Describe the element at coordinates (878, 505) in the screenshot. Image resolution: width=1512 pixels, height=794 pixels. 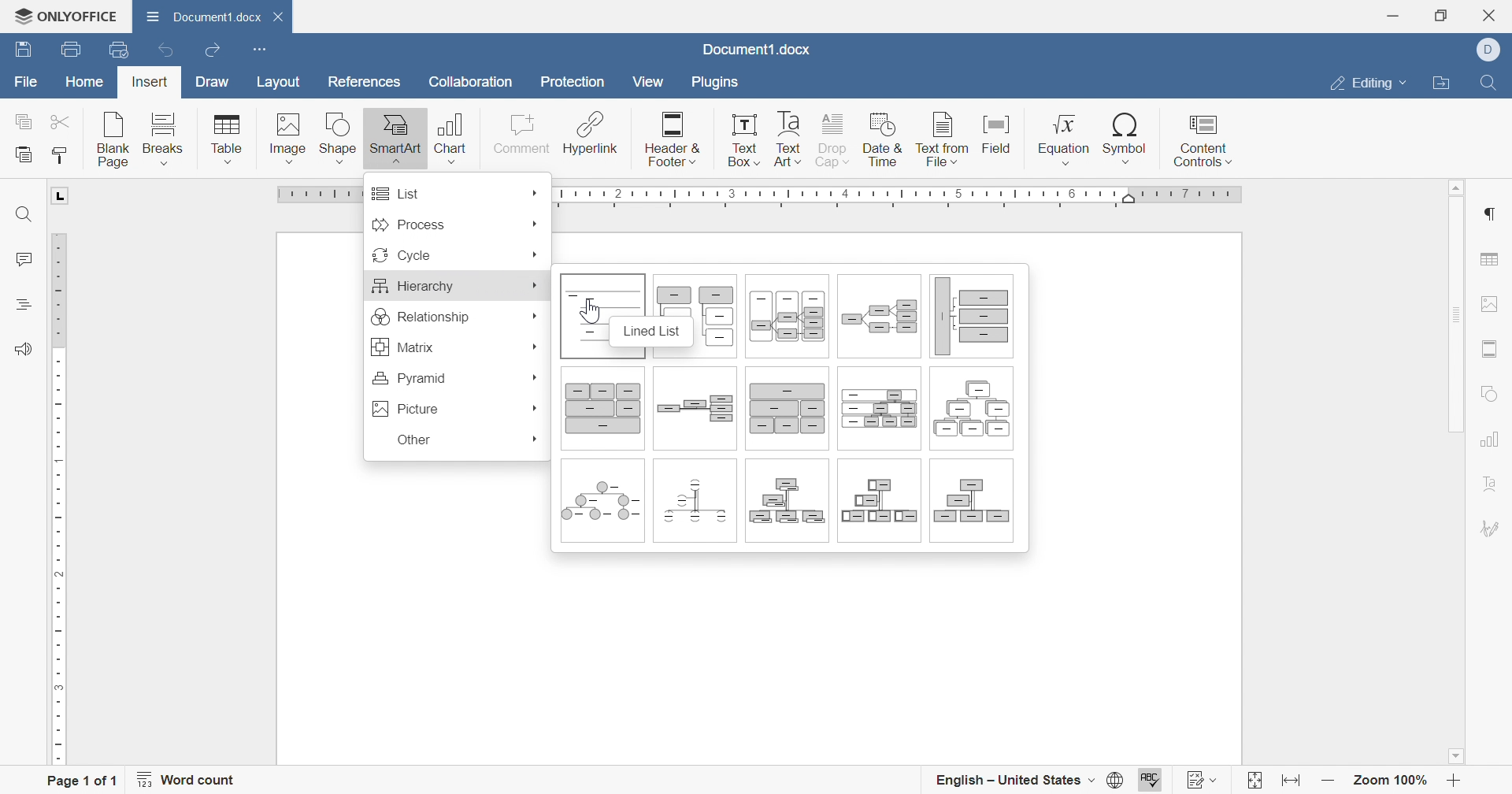
I see `Picture organization chart` at that location.